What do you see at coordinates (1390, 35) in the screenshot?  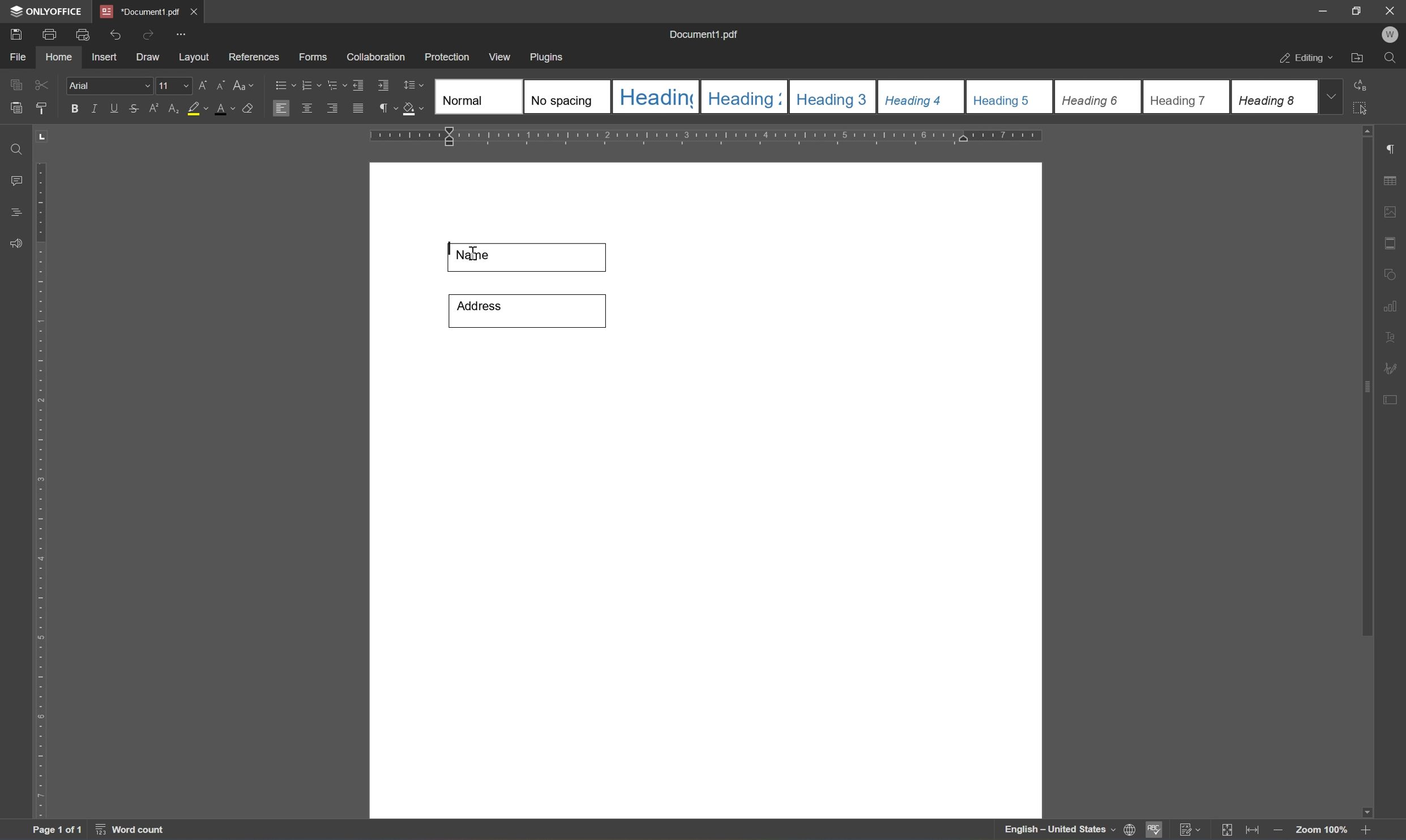 I see `welcome` at bounding box center [1390, 35].